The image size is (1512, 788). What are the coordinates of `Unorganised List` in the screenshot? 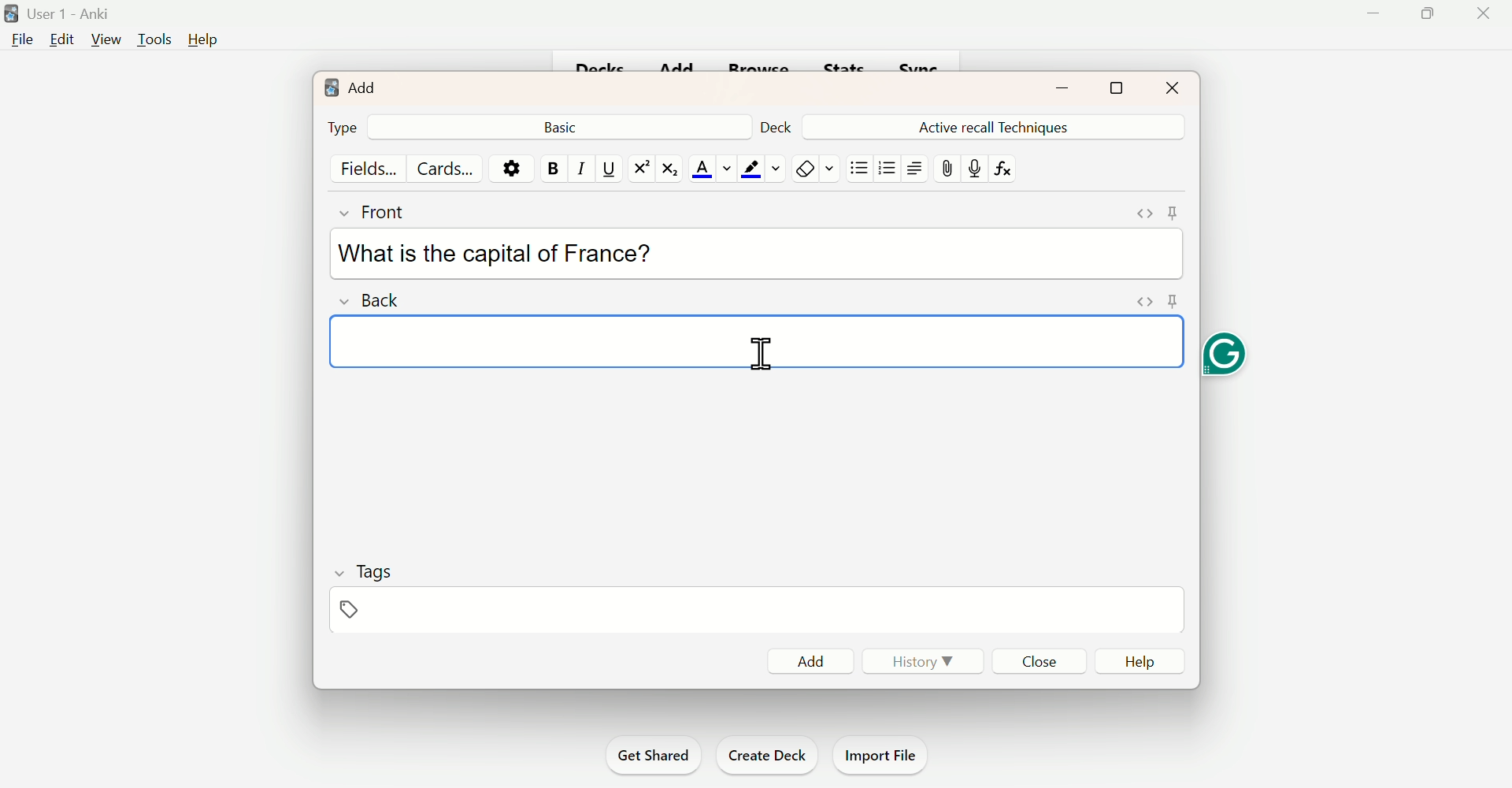 It's located at (860, 167).